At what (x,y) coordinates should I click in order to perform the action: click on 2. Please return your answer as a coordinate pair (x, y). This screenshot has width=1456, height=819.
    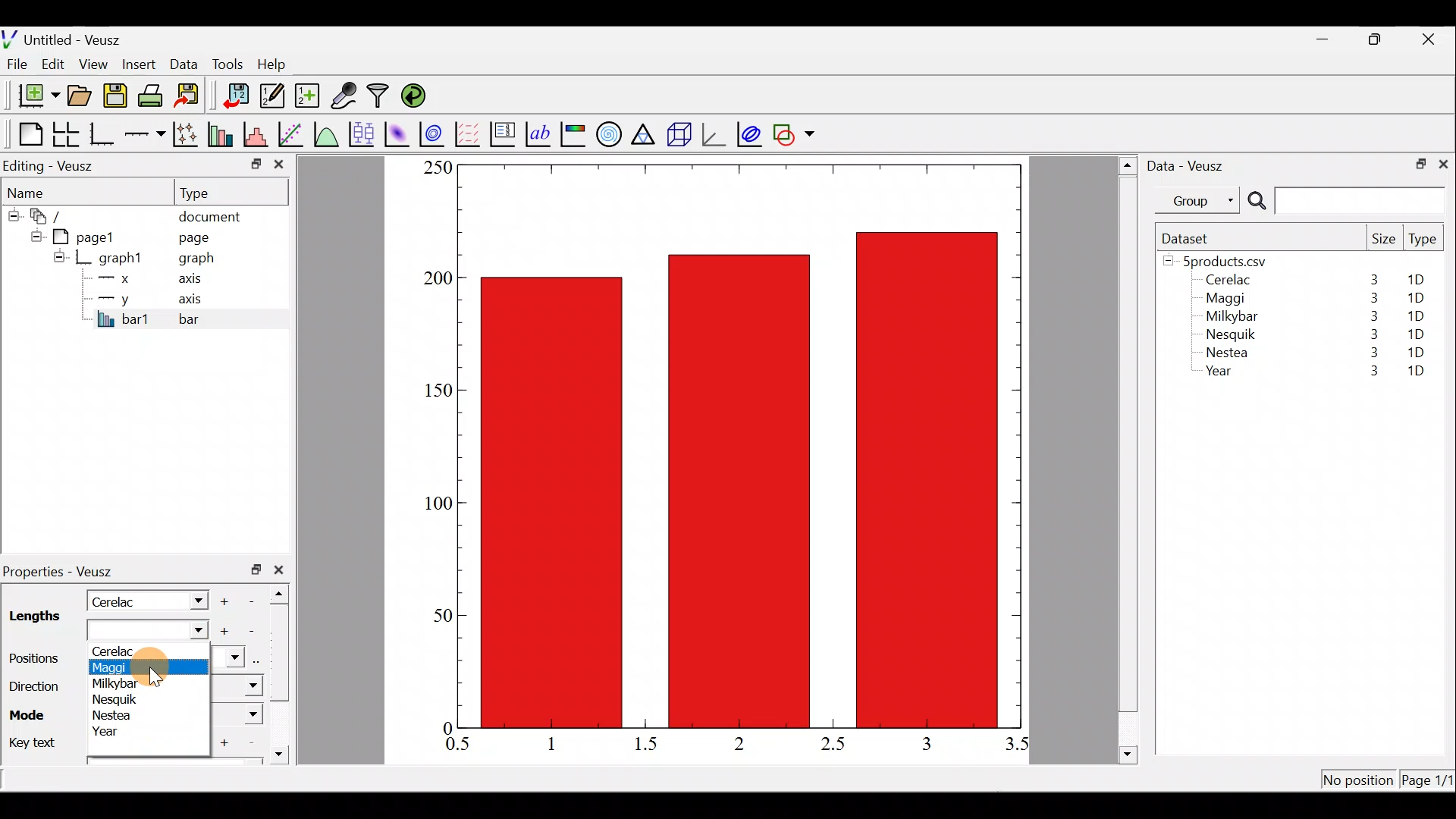
    Looking at the image, I should click on (736, 742).